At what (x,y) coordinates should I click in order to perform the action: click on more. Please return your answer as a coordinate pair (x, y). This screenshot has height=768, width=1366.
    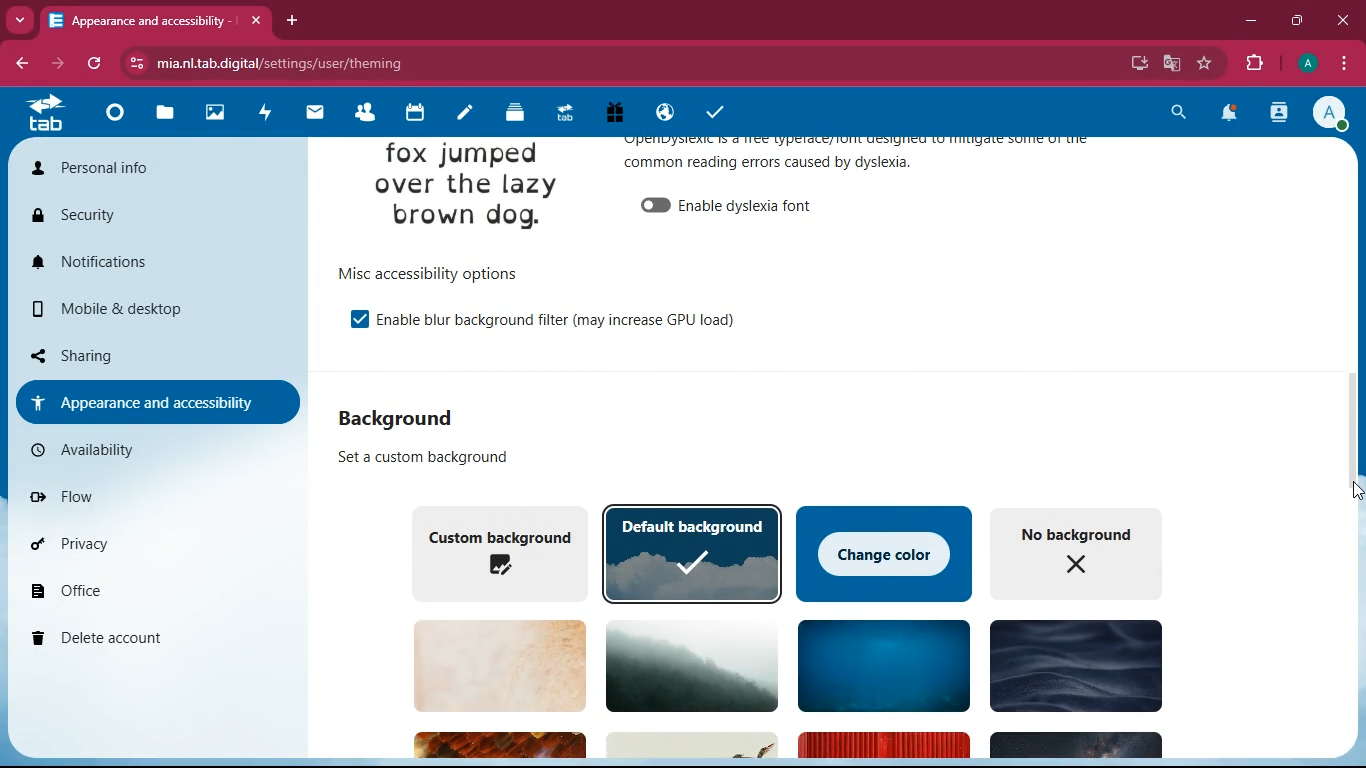
    Looking at the image, I should click on (20, 20).